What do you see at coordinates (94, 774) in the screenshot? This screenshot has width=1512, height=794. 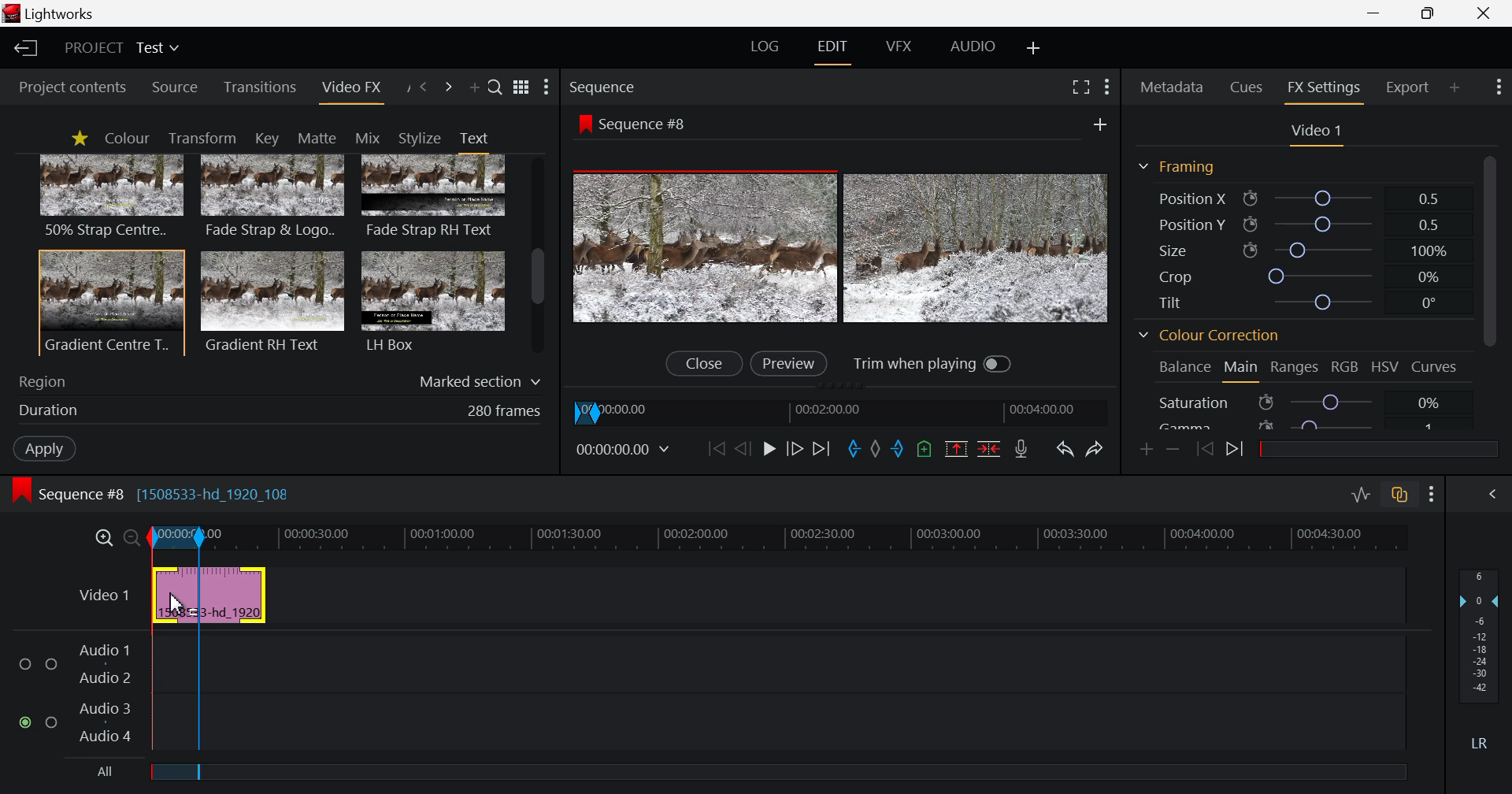 I see `All` at bounding box center [94, 774].